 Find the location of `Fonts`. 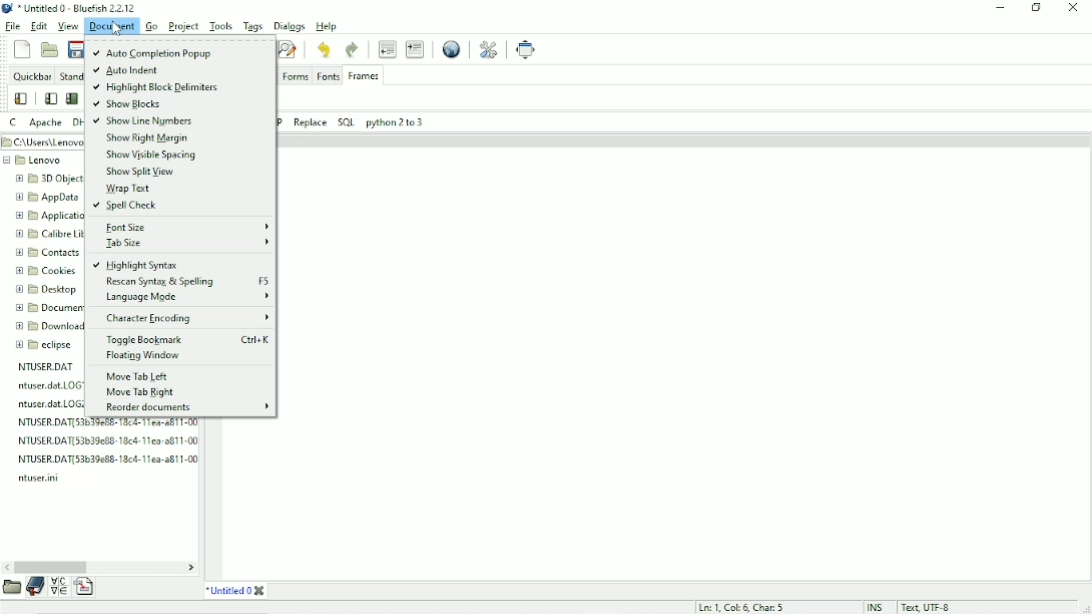

Fonts is located at coordinates (327, 77).